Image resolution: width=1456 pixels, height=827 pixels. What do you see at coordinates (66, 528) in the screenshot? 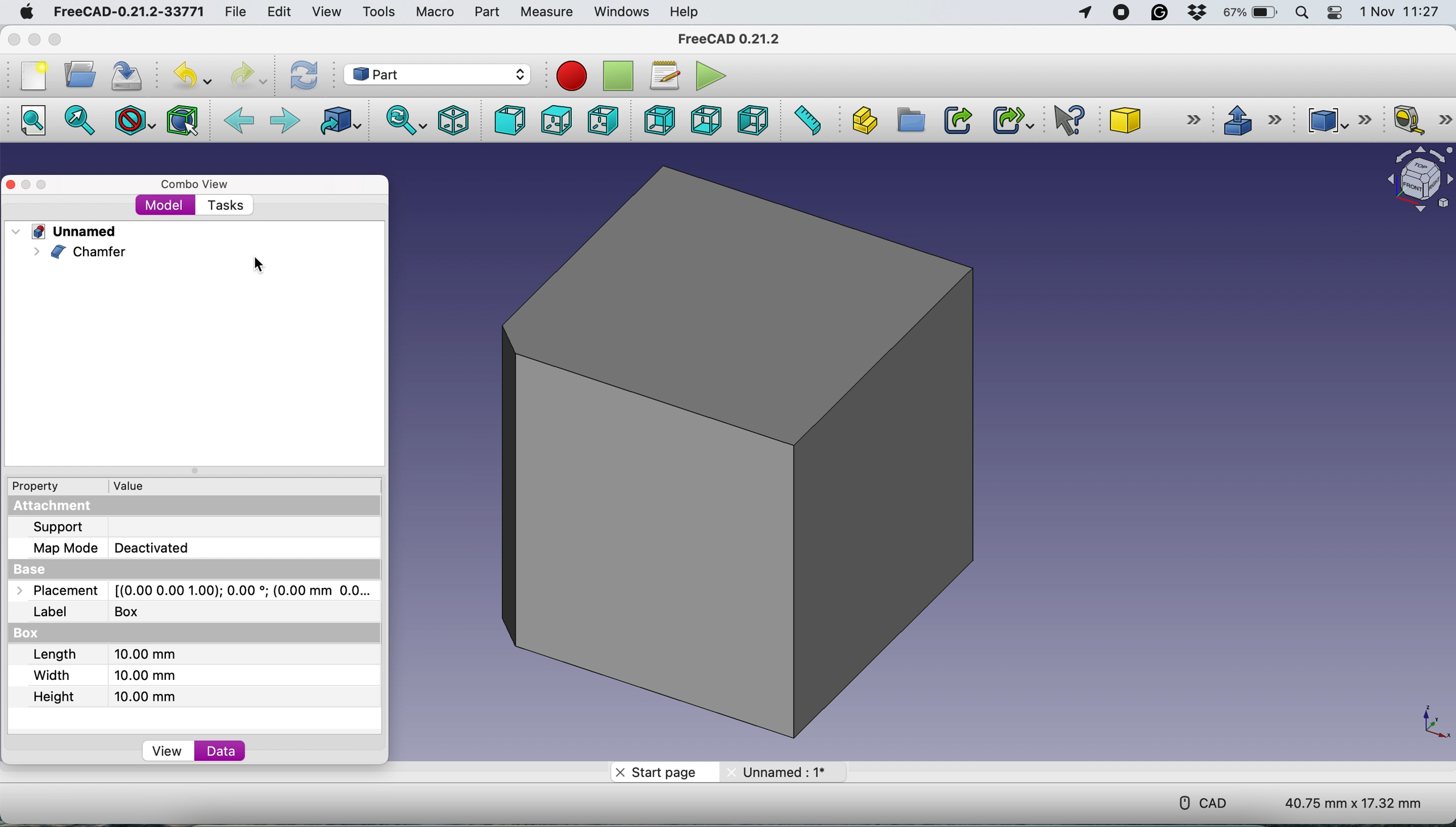
I see `support` at bounding box center [66, 528].